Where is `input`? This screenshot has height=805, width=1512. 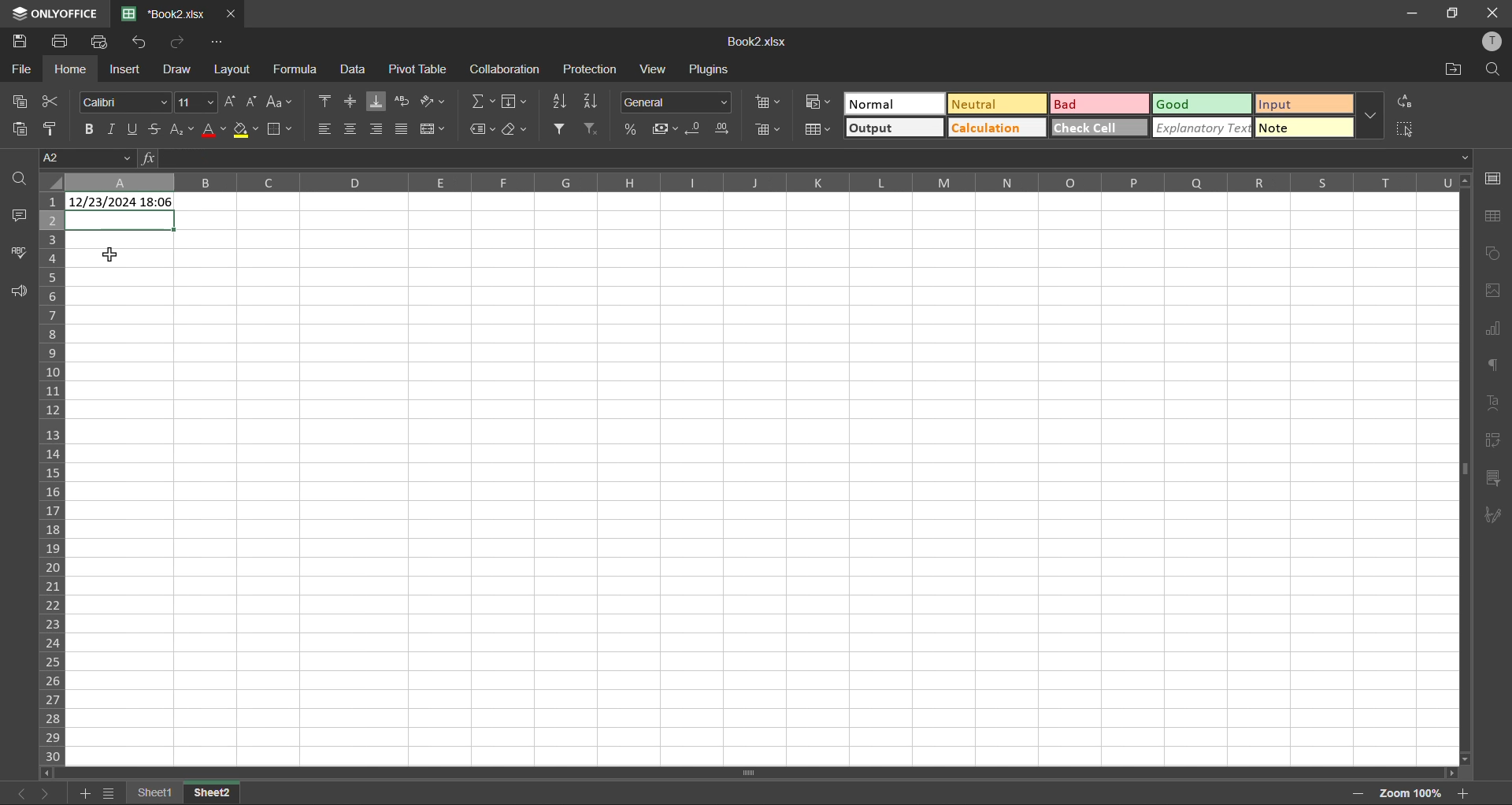
input is located at coordinates (1301, 105).